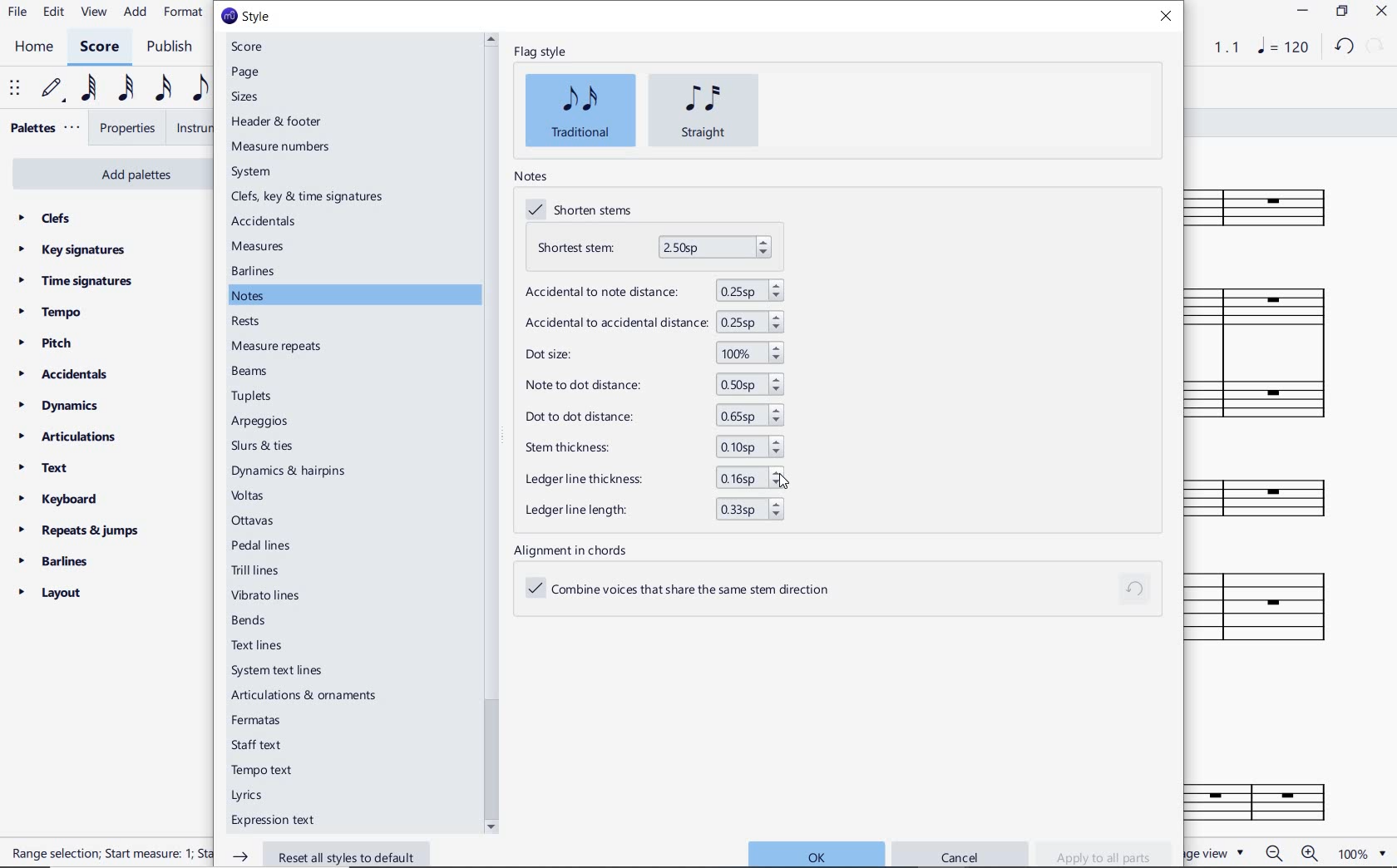 The image size is (1397, 868). Describe the element at coordinates (51, 593) in the screenshot. I see `layout` at that location.